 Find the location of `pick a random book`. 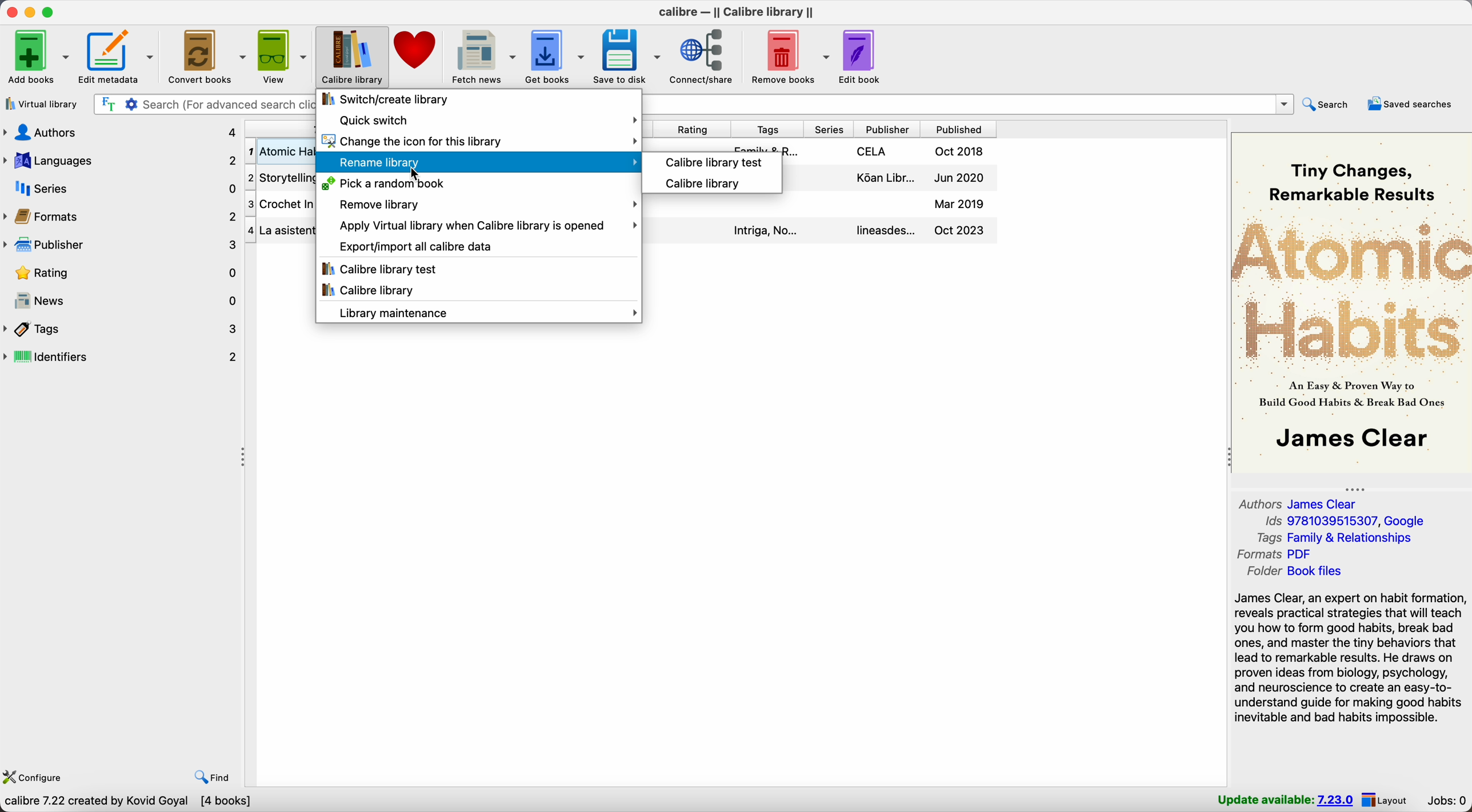

pick a random book is located at coordinates (382, 184).